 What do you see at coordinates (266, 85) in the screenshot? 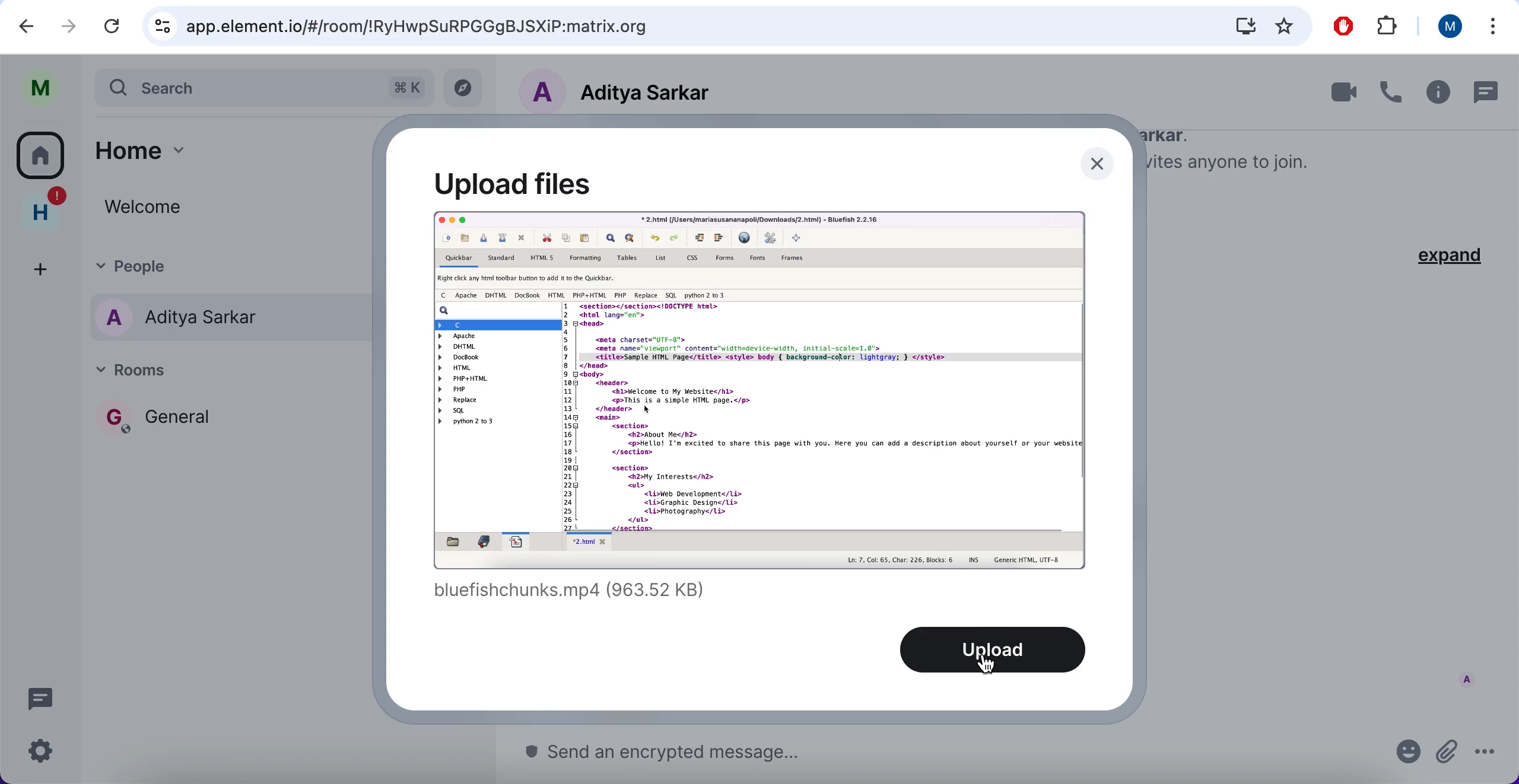
I see `search` at bounding box center [266, 85].